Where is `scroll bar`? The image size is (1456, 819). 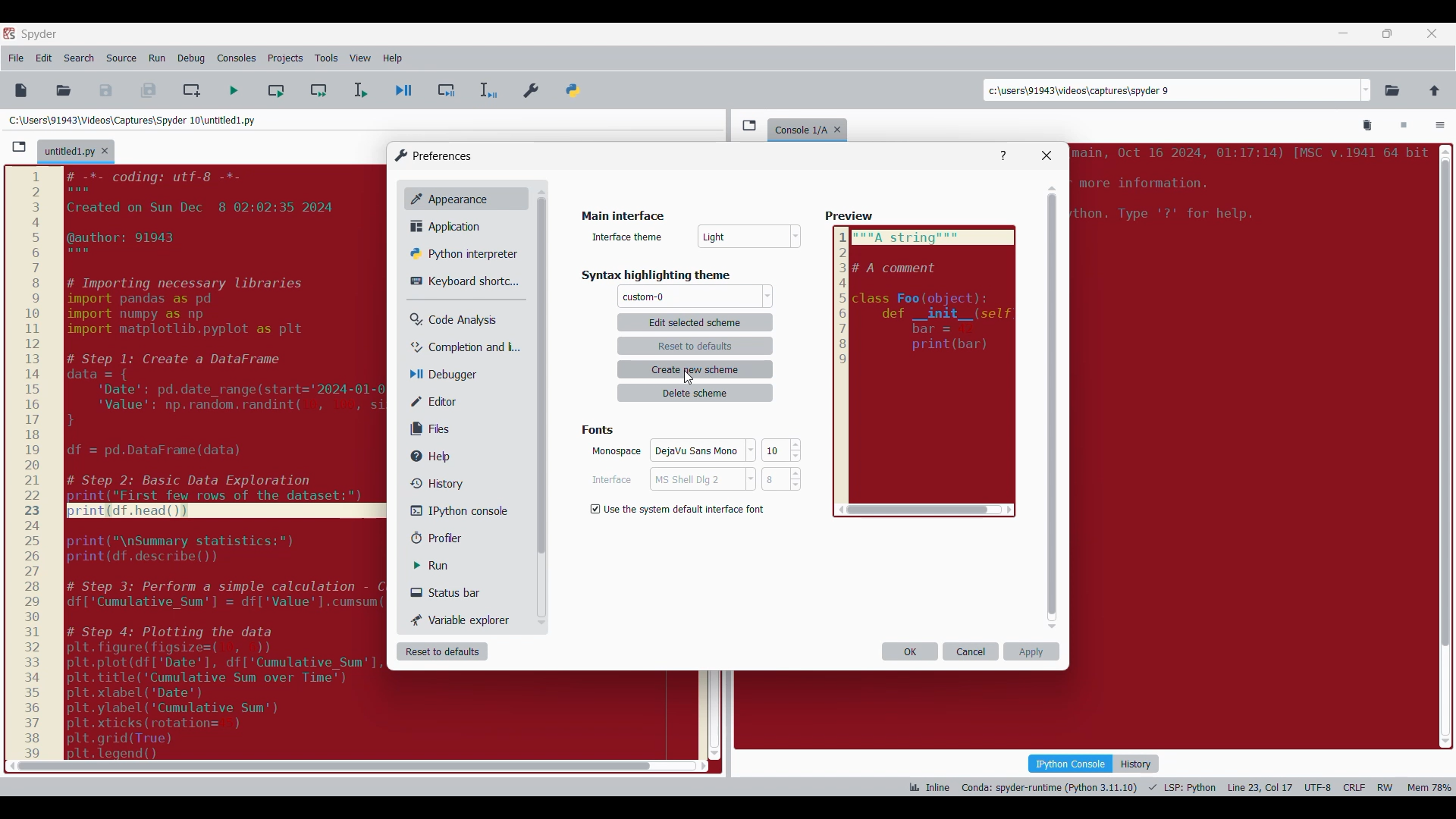 scroll bar is located at coordinates (329, 765).